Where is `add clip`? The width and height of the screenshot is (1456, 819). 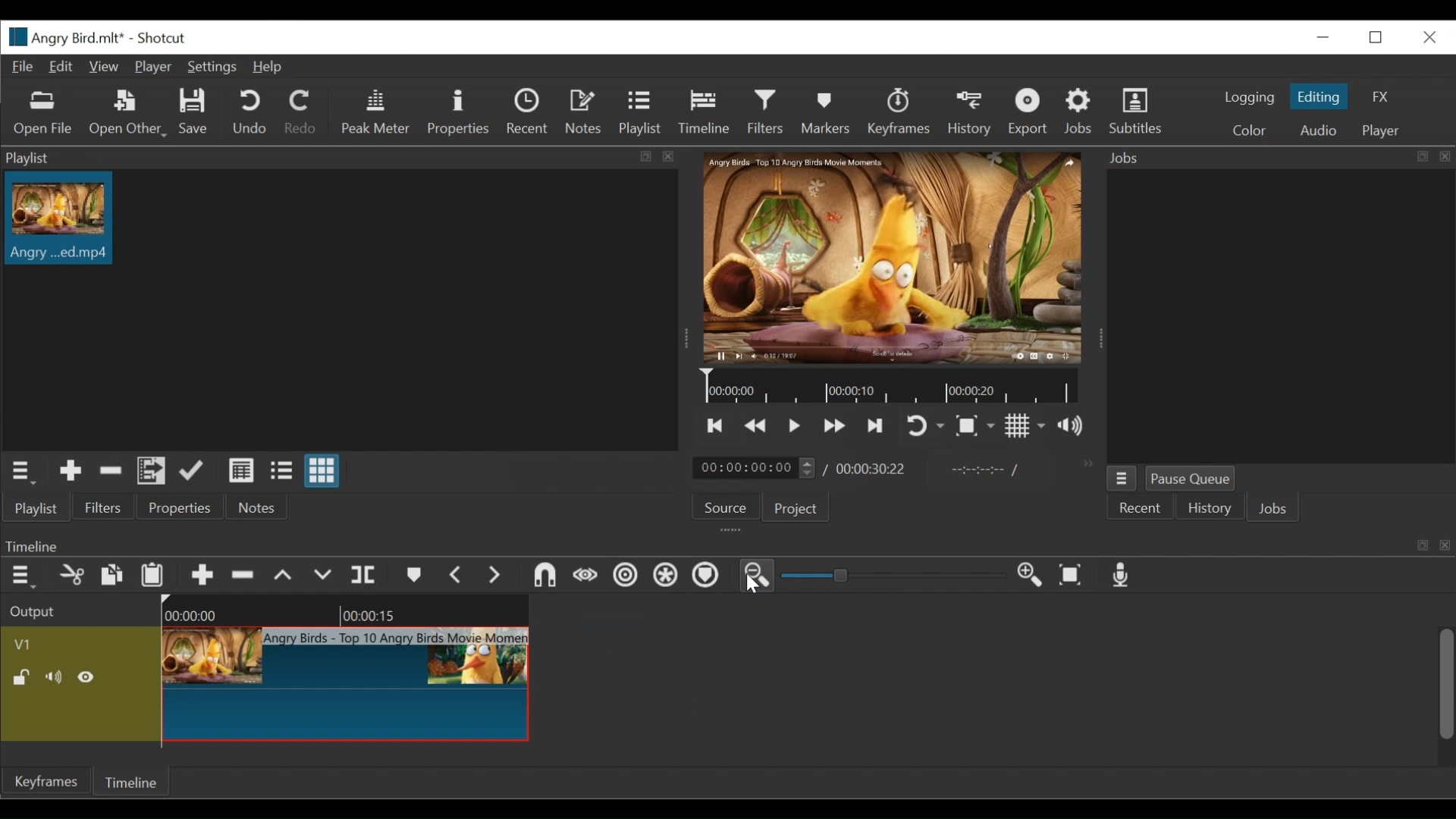
add clip is located at coordinates (202, 578).